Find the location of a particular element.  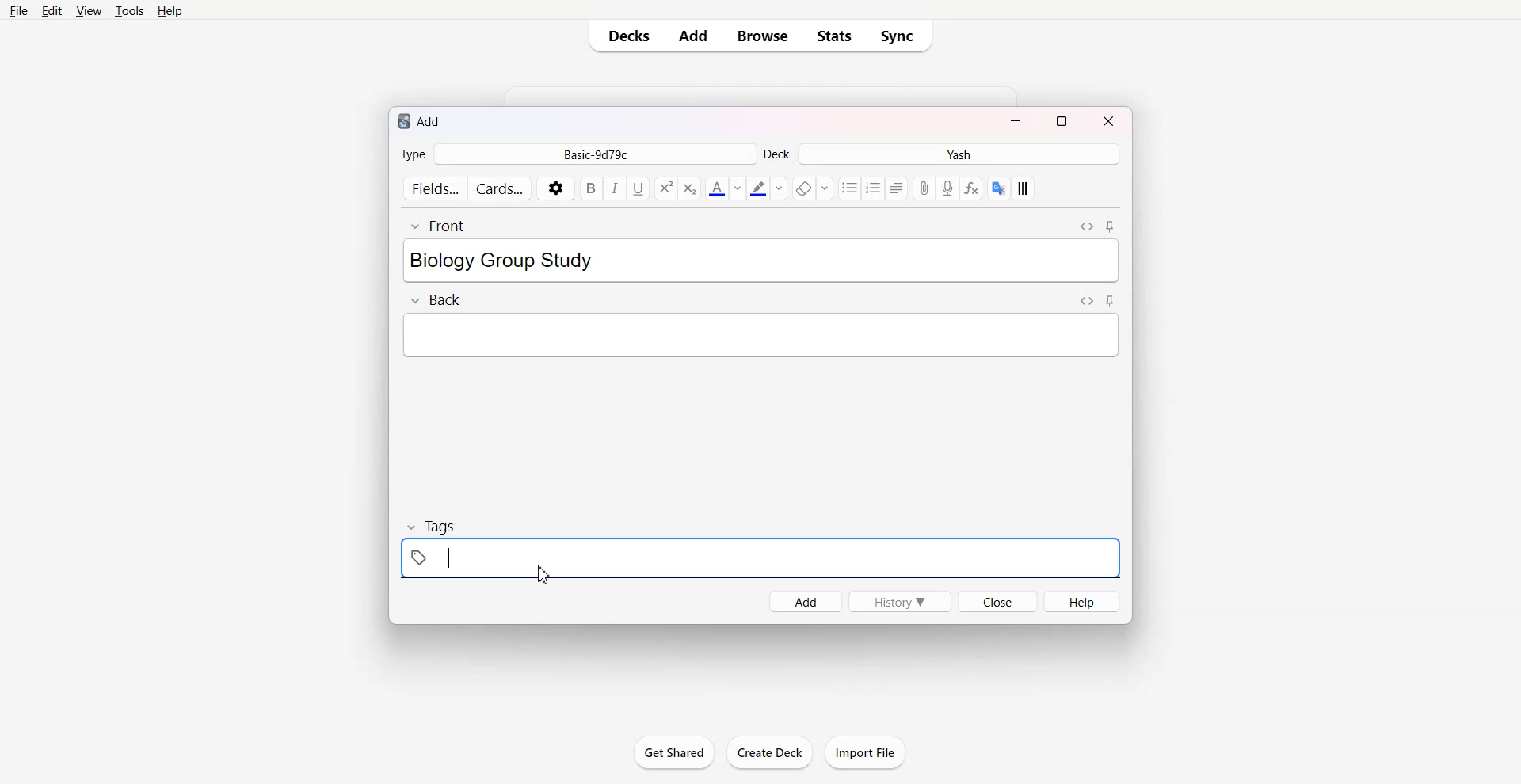

Create Deck is located at coordinates (769, 752).